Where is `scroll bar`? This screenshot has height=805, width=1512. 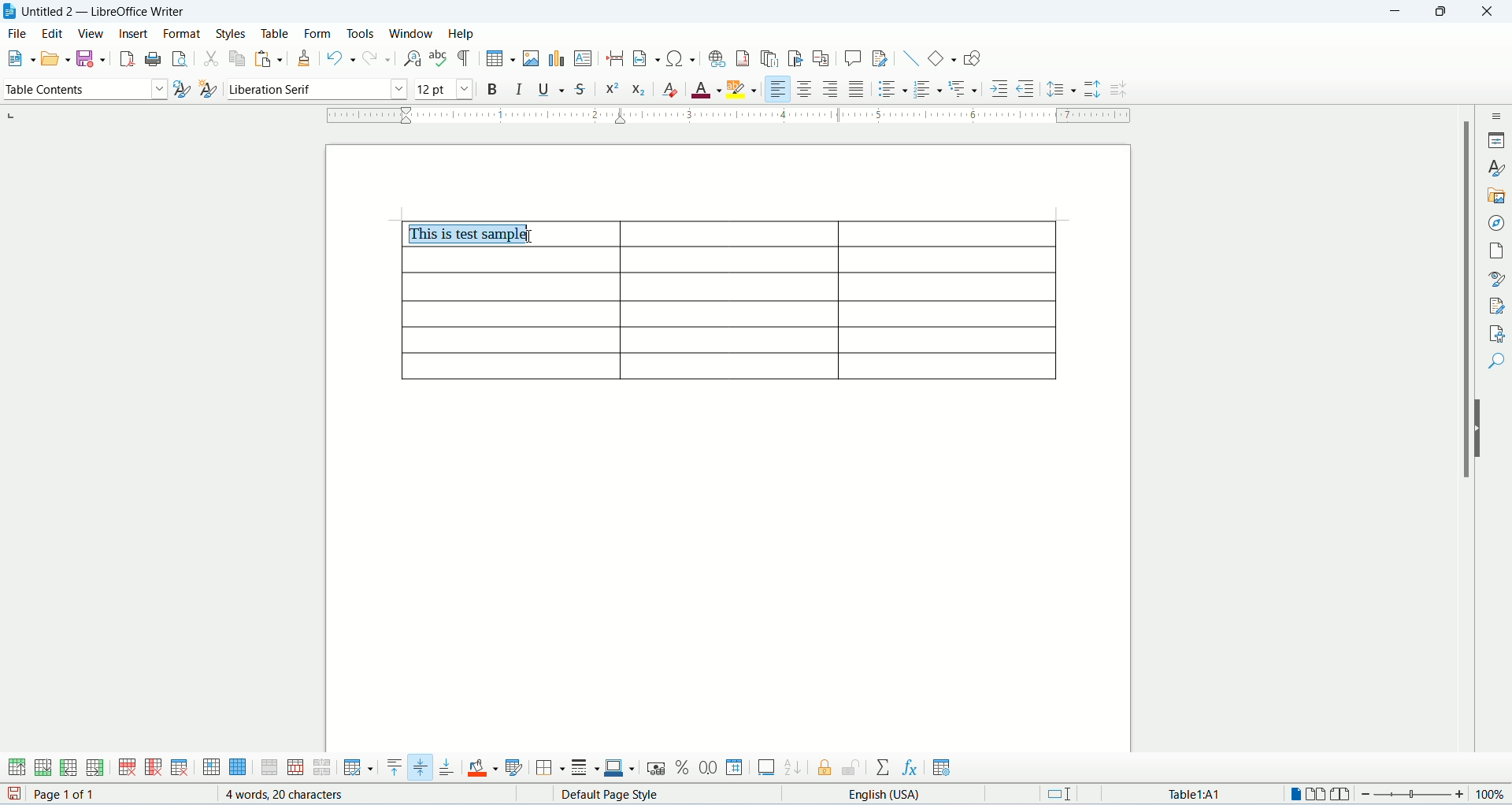 scroll bar is located at coordinates (1462, 442).